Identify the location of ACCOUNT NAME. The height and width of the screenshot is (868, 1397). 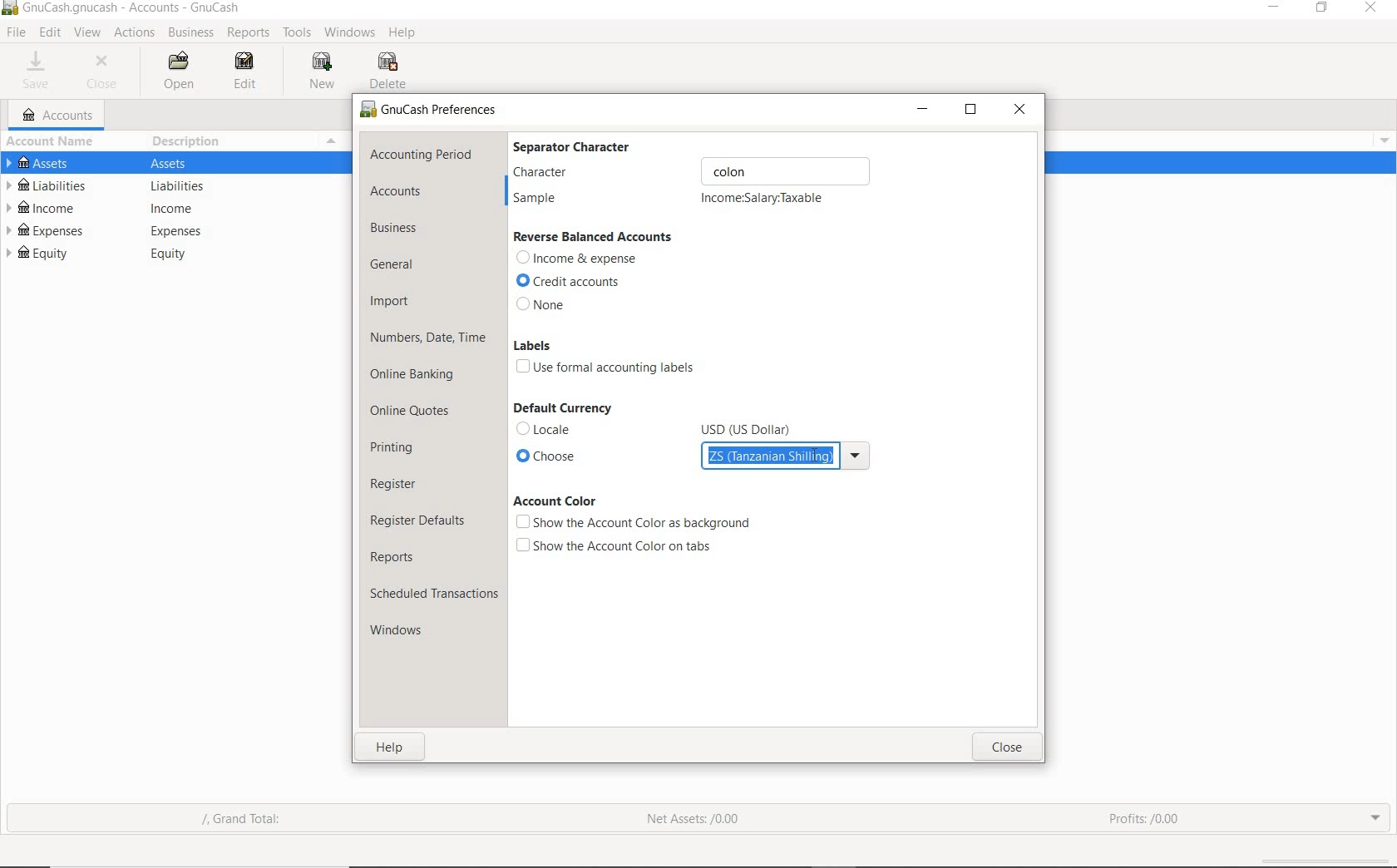
(53, 143).